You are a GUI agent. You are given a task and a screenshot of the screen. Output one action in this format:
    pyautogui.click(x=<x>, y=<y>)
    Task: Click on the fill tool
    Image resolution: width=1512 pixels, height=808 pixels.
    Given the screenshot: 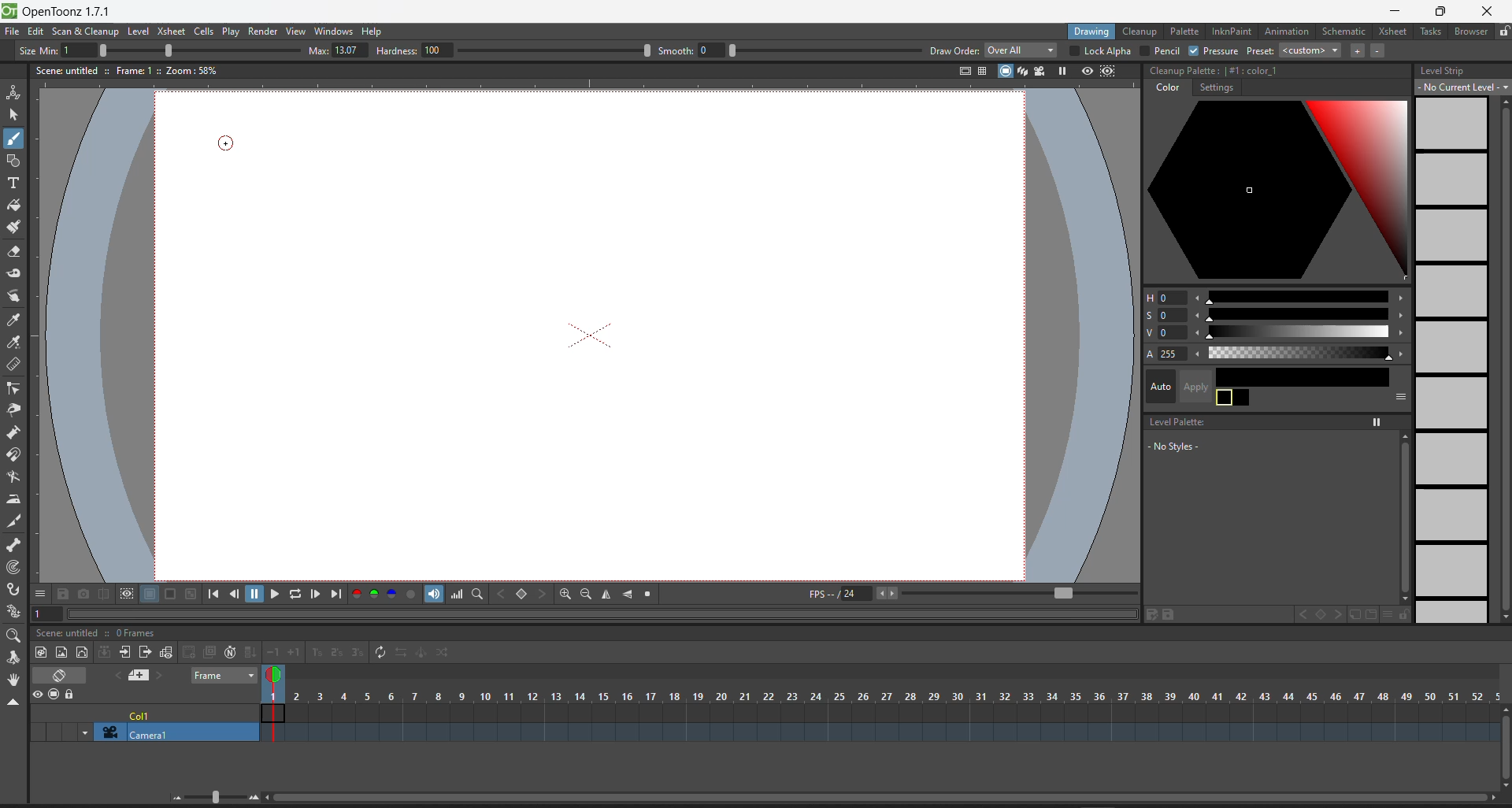 What is the action you would take?
    pyautogui.click(x=14, y=204)
    